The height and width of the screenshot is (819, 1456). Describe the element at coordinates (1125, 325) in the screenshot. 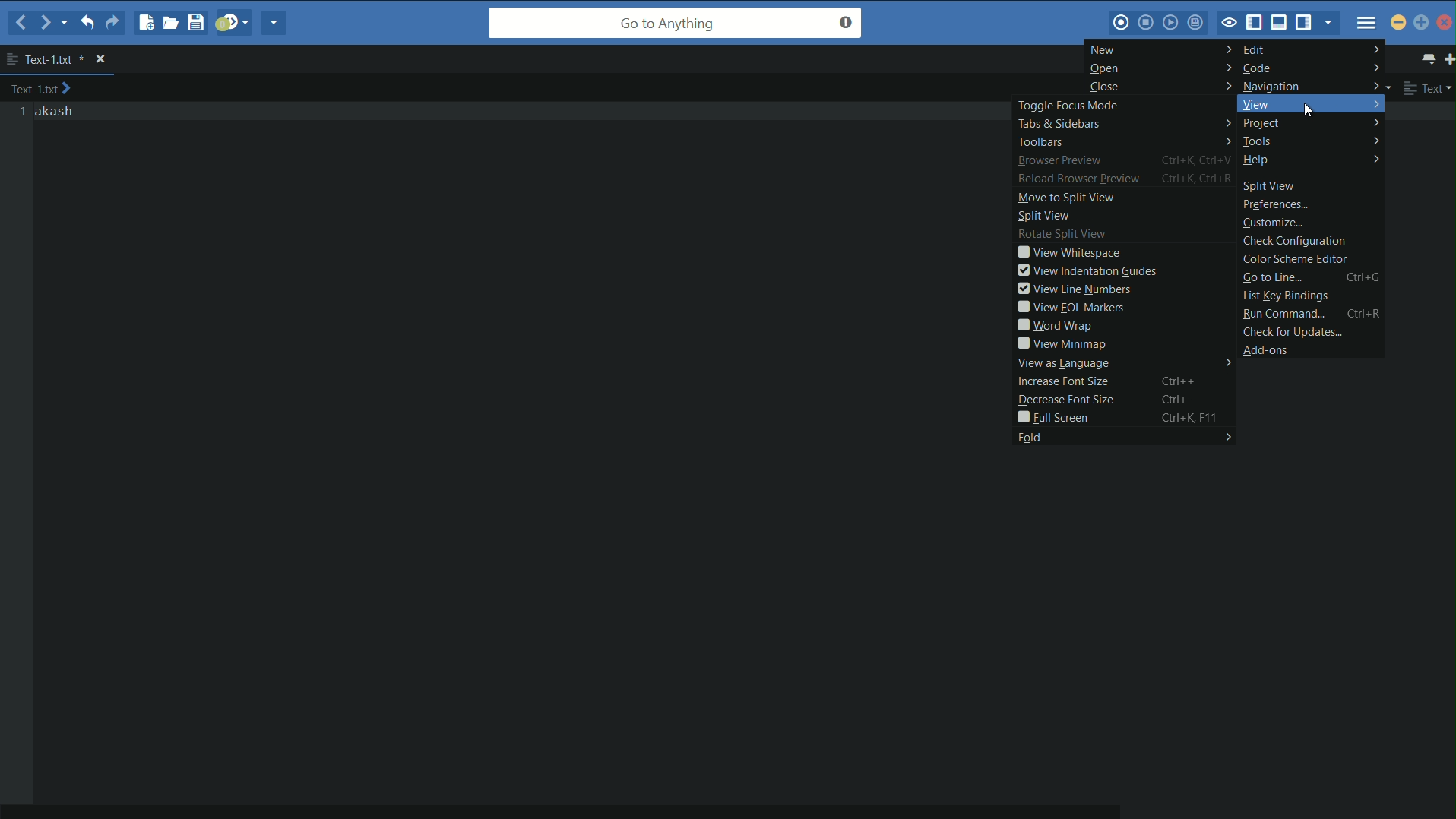

I see `word wrap` at that location.